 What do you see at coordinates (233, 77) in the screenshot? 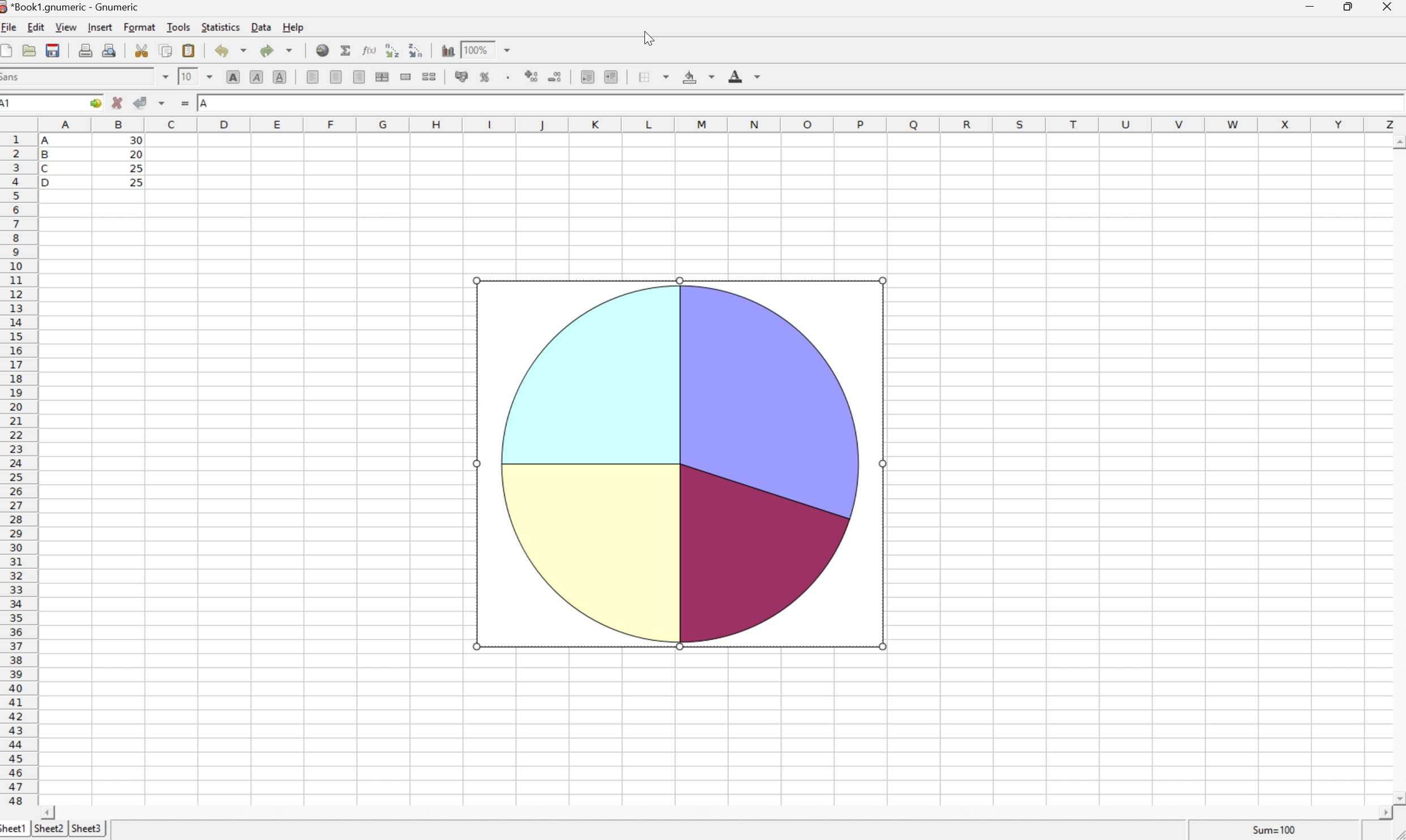
I see `Bold` at bounding box center [233, 77].